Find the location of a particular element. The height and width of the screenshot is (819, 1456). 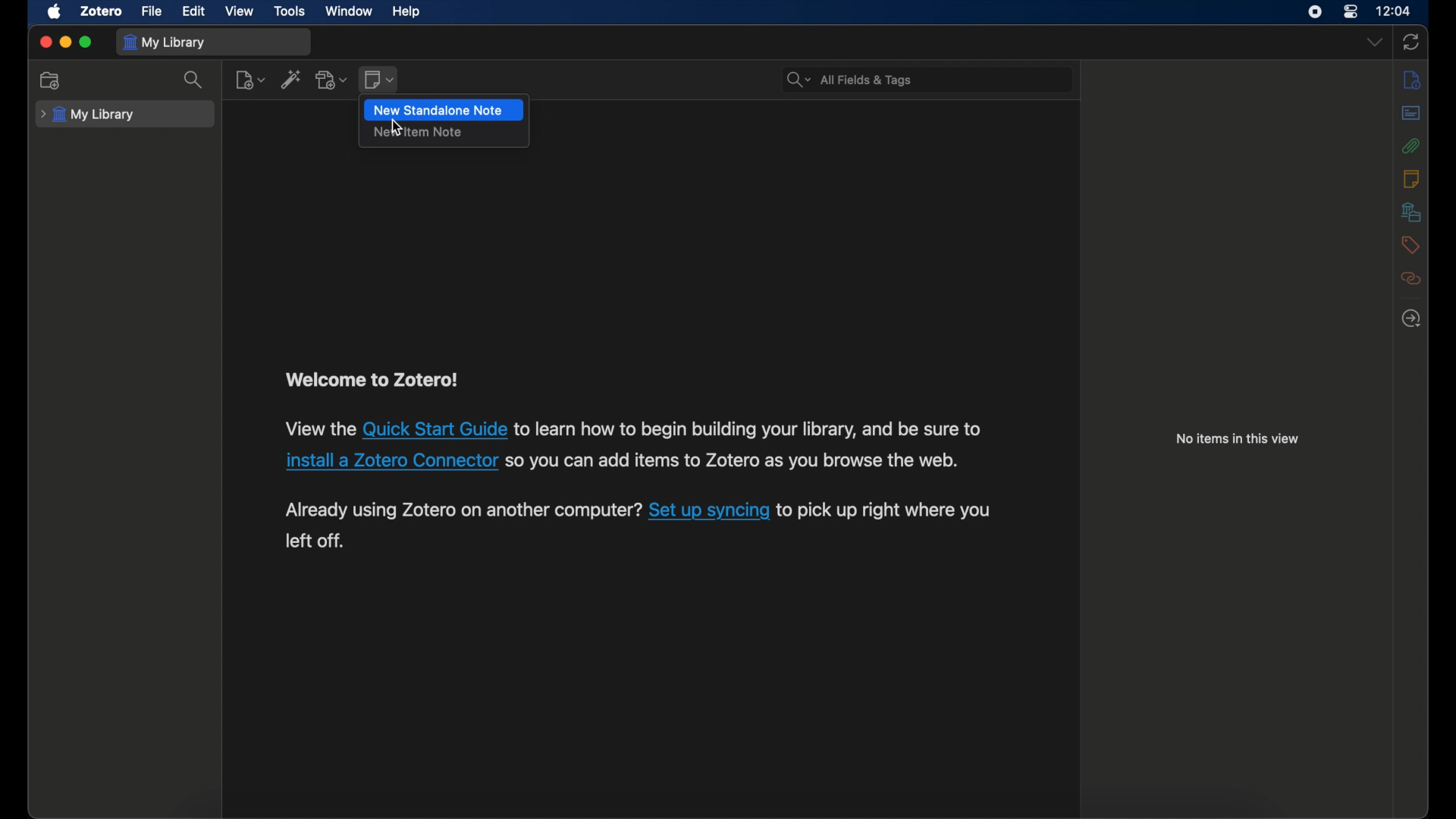

maximize is located at coordinates (86, 42).